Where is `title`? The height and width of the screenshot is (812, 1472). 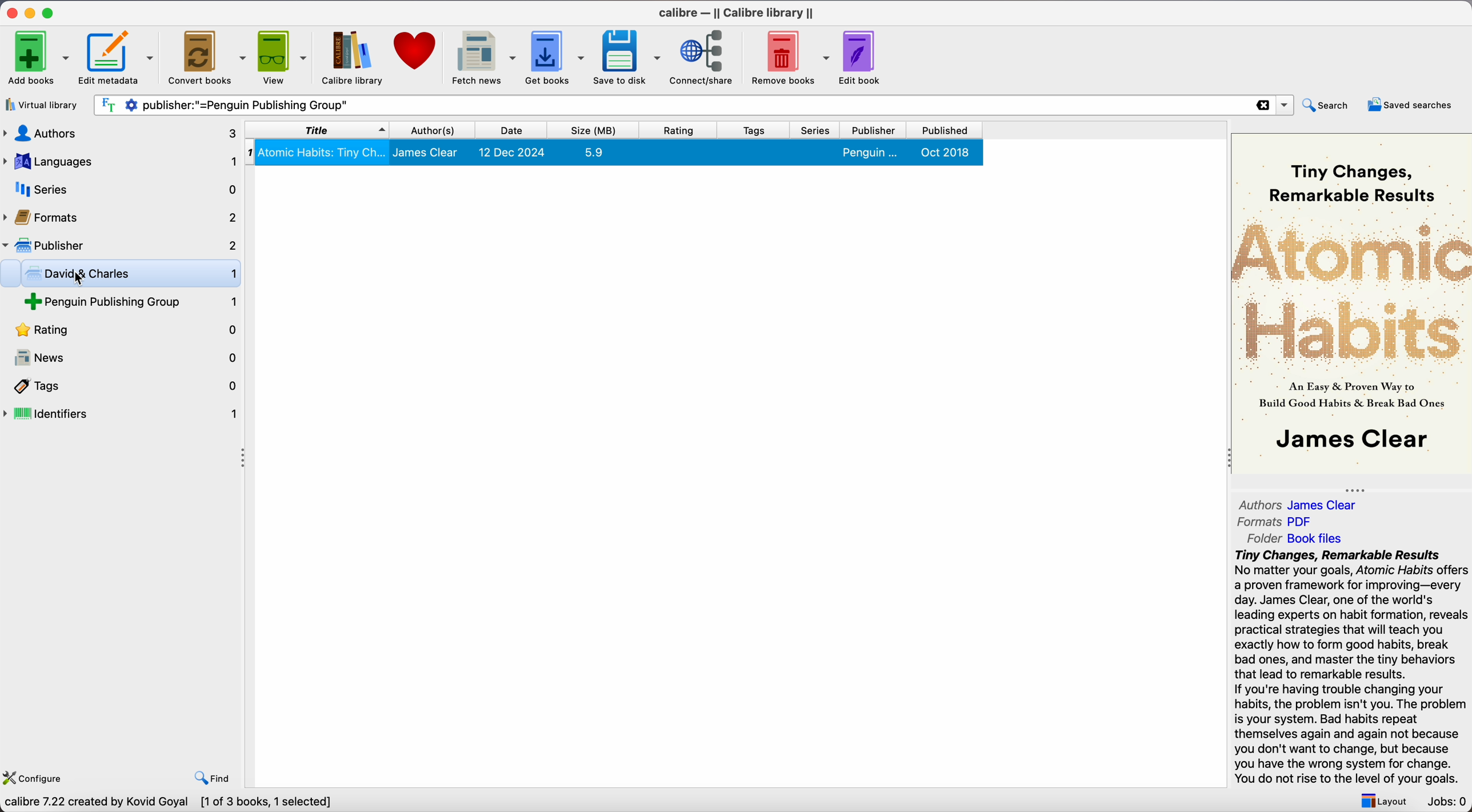
title is located at coordinates (317, 129).